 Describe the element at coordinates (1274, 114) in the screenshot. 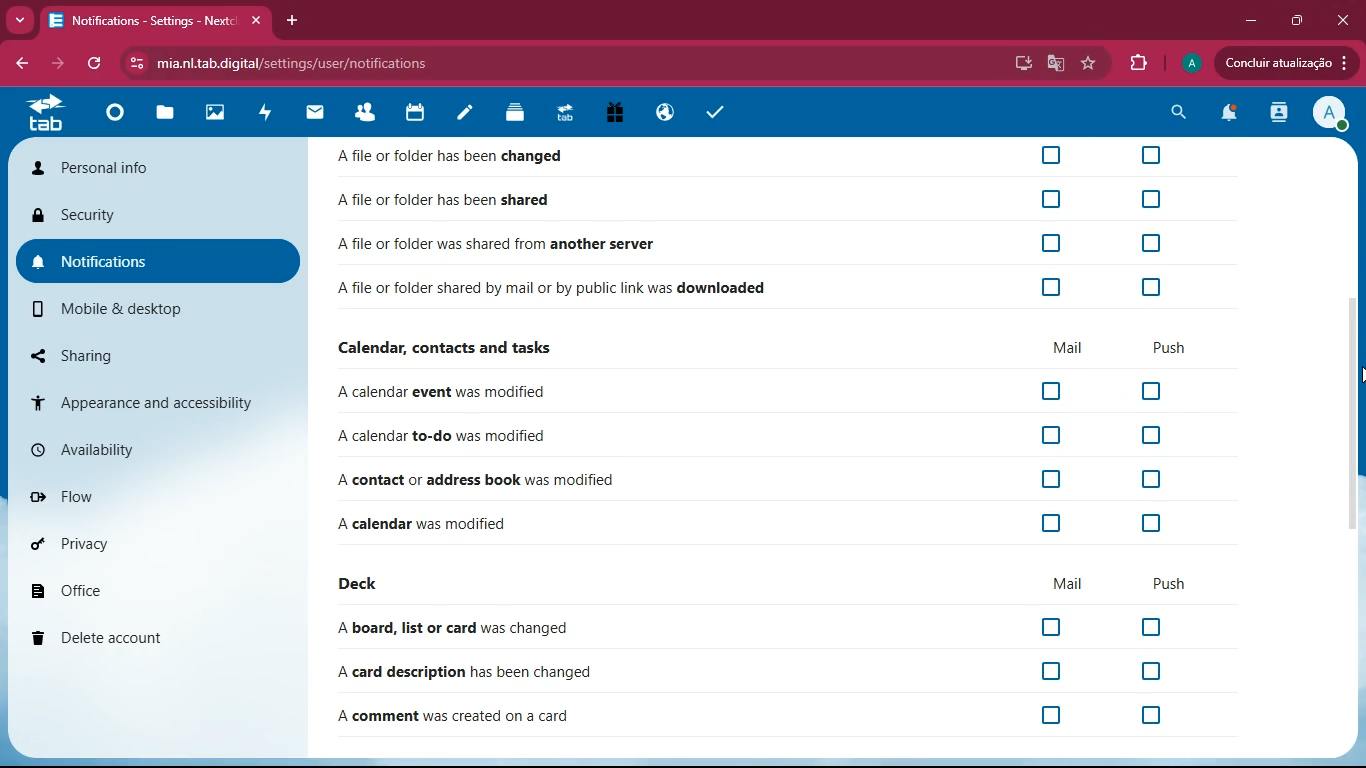

I see `activity` at that location.